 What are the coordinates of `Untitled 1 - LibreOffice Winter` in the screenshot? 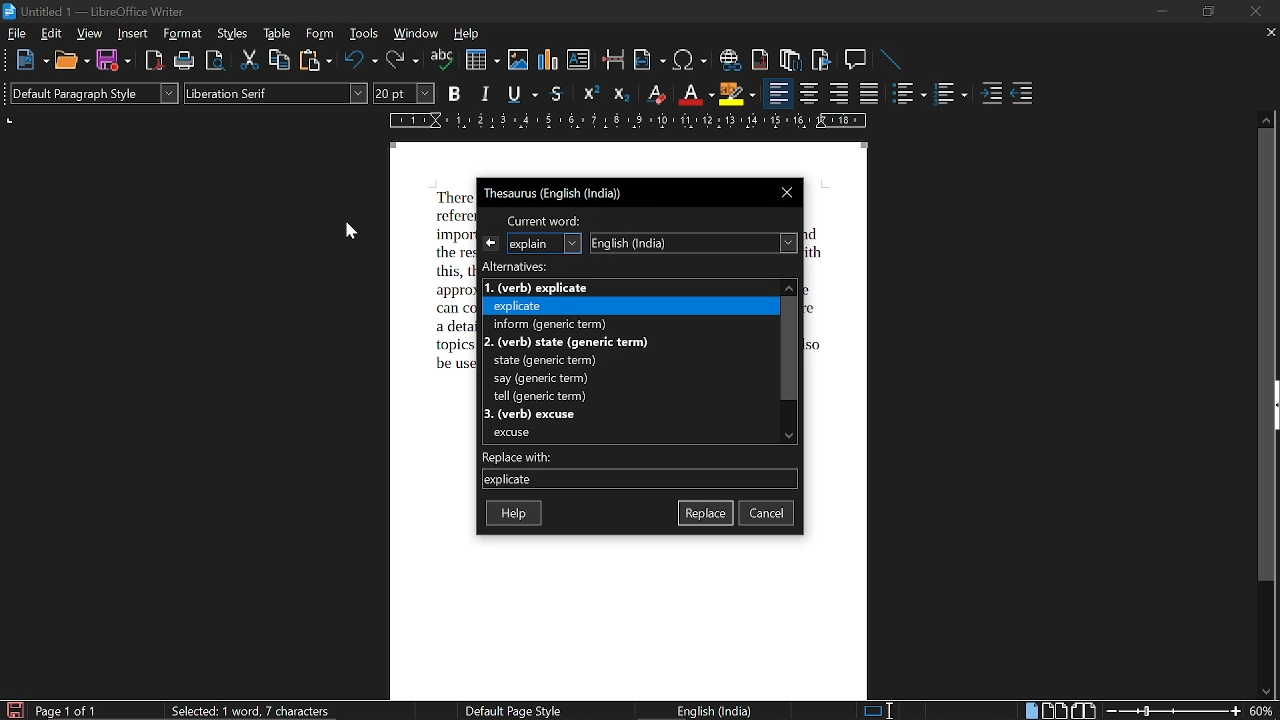 It's located at (105, 11).